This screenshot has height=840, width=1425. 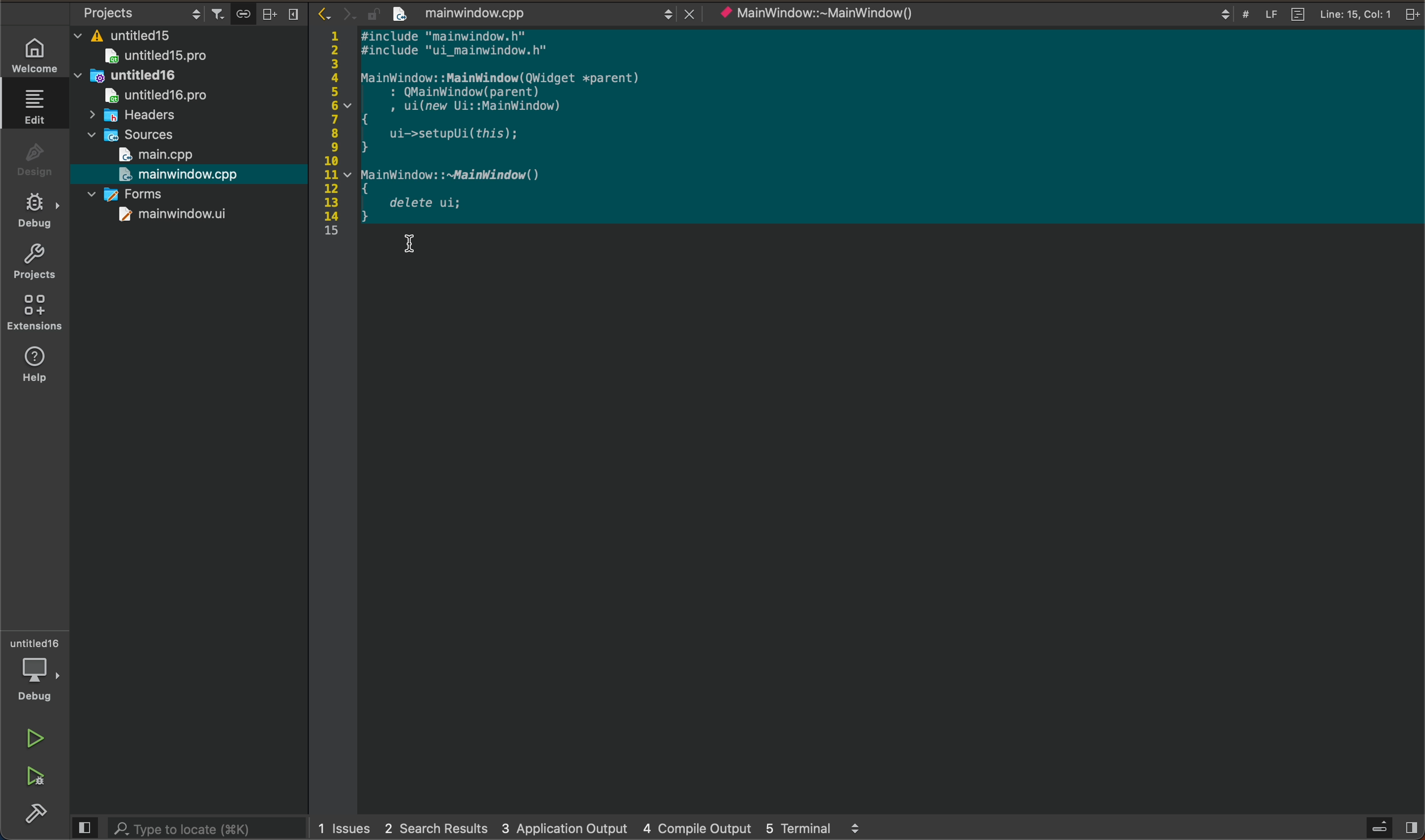 What do you see at coordinates (499, 127) in the screenshot?
I see `1  #include "mainwindow.h"

2  #include "ui_mainwindow.h"
3

4  MainWindow: :MainWindow(QWidget *parent)
5 : QMainWindow(parent)
6v , ui(new Ui::MainWindow)
7 A

8 ui->setupUi(this);

9 }

10

11 v MainWindow: :~MainWindow()

12 {

13 delete ui;

14 }` at bounding box center [499, 127].